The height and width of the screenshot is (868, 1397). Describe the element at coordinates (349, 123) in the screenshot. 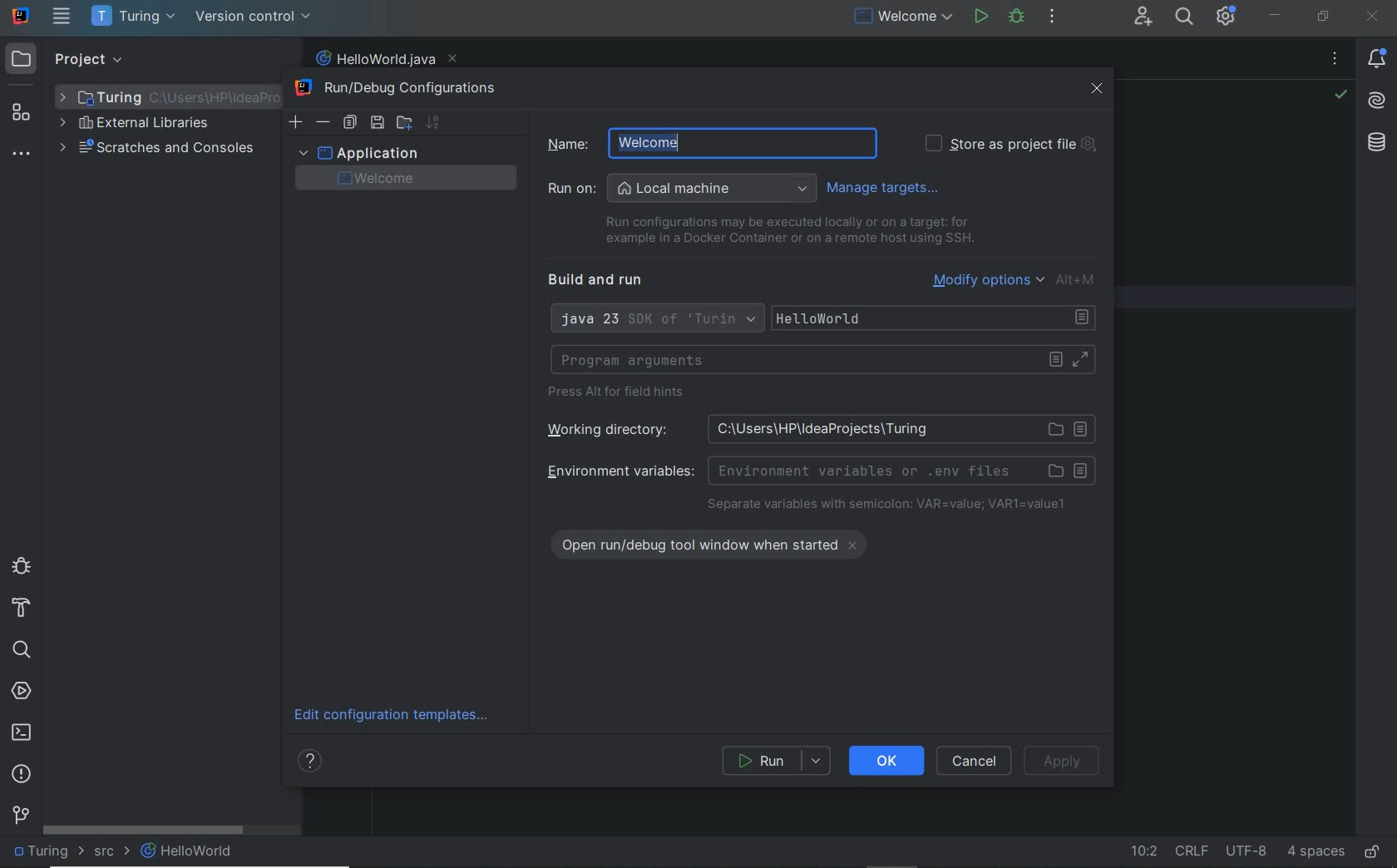

I see `COPY CONFIGURATION` at that location.